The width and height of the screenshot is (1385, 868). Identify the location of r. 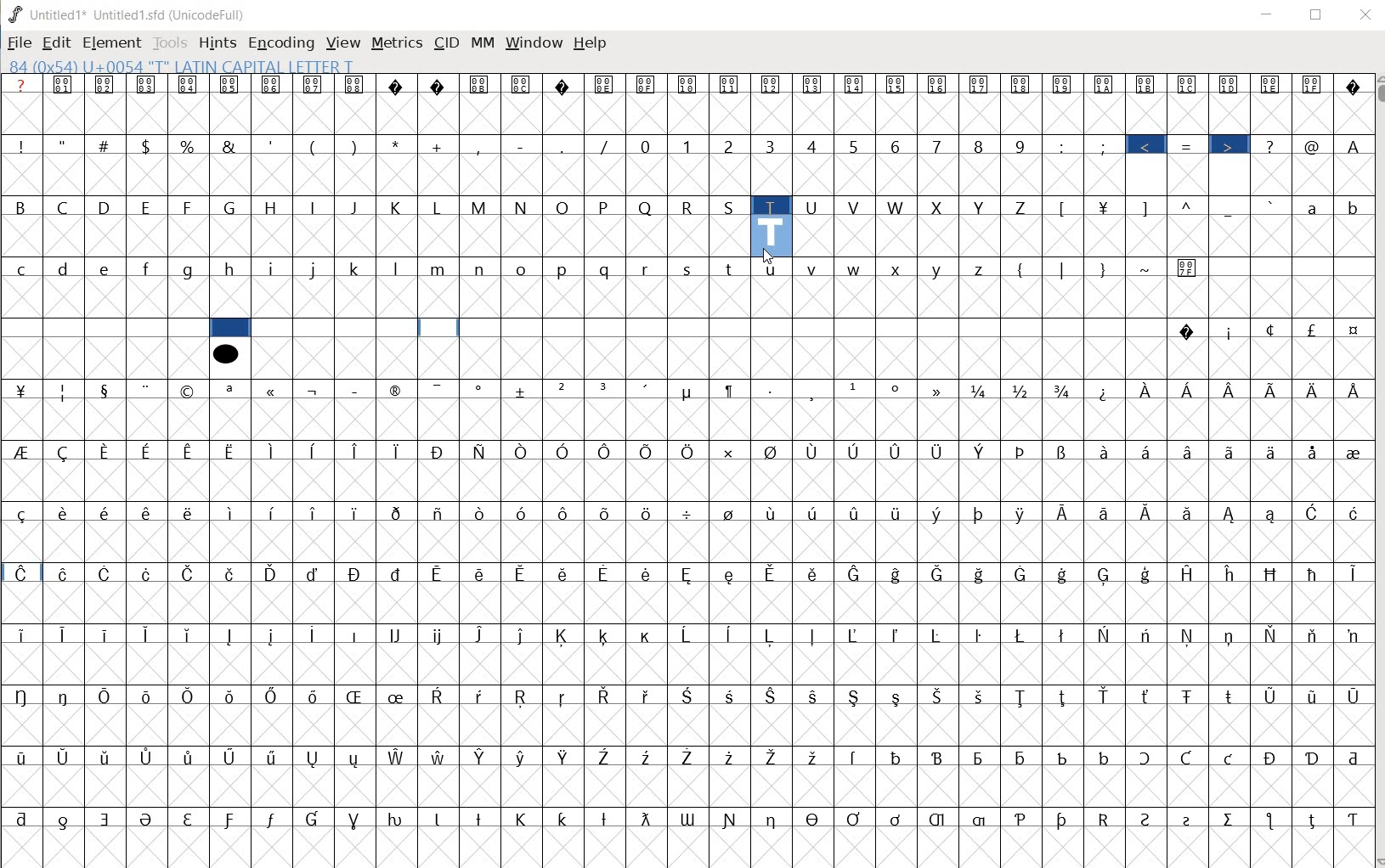
(647, 268).